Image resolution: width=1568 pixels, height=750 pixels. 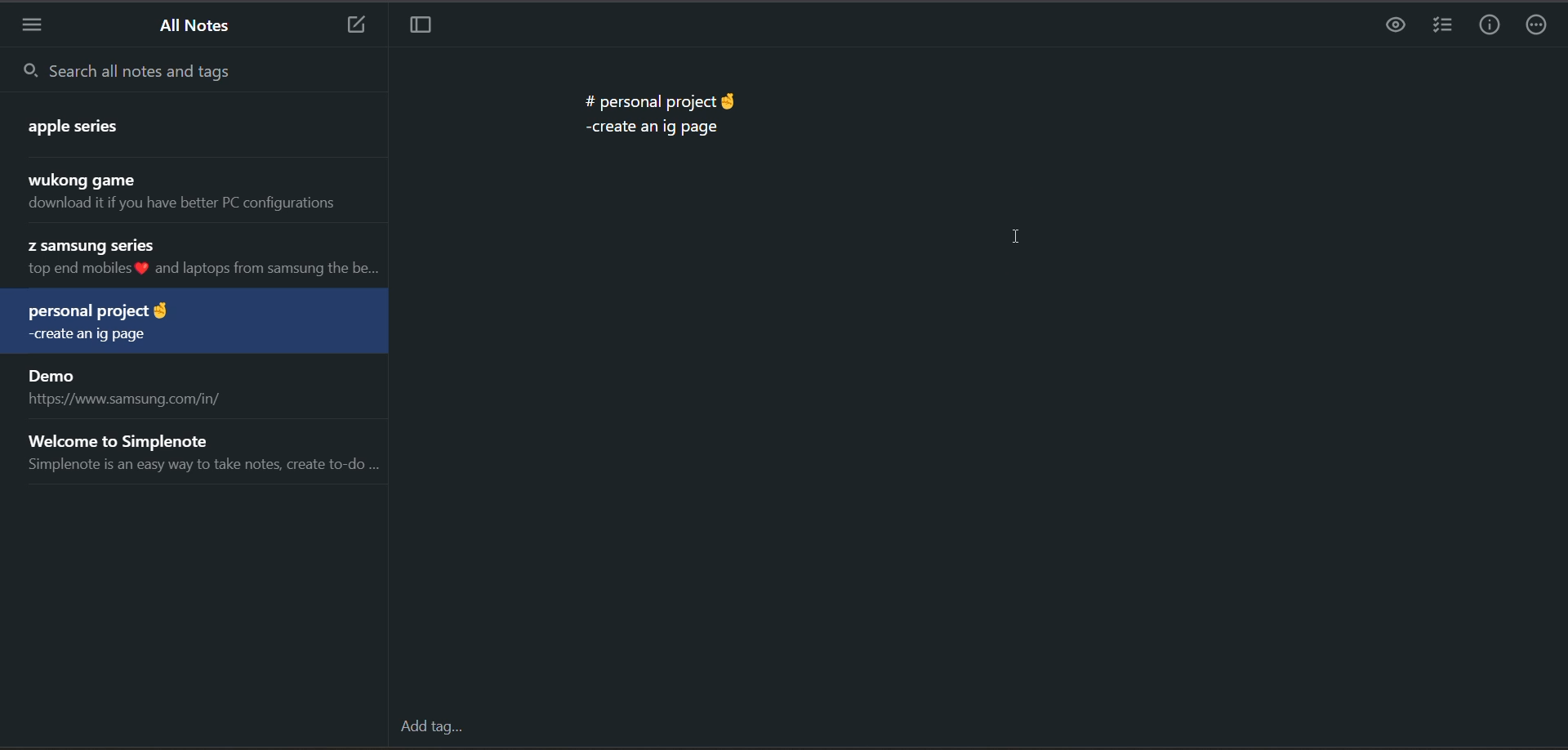 What do you see at coordinates (200, 259) in the screenshot?
I see `note title and preview sorted in reverse chronological order` at bounding box center [200, 259].